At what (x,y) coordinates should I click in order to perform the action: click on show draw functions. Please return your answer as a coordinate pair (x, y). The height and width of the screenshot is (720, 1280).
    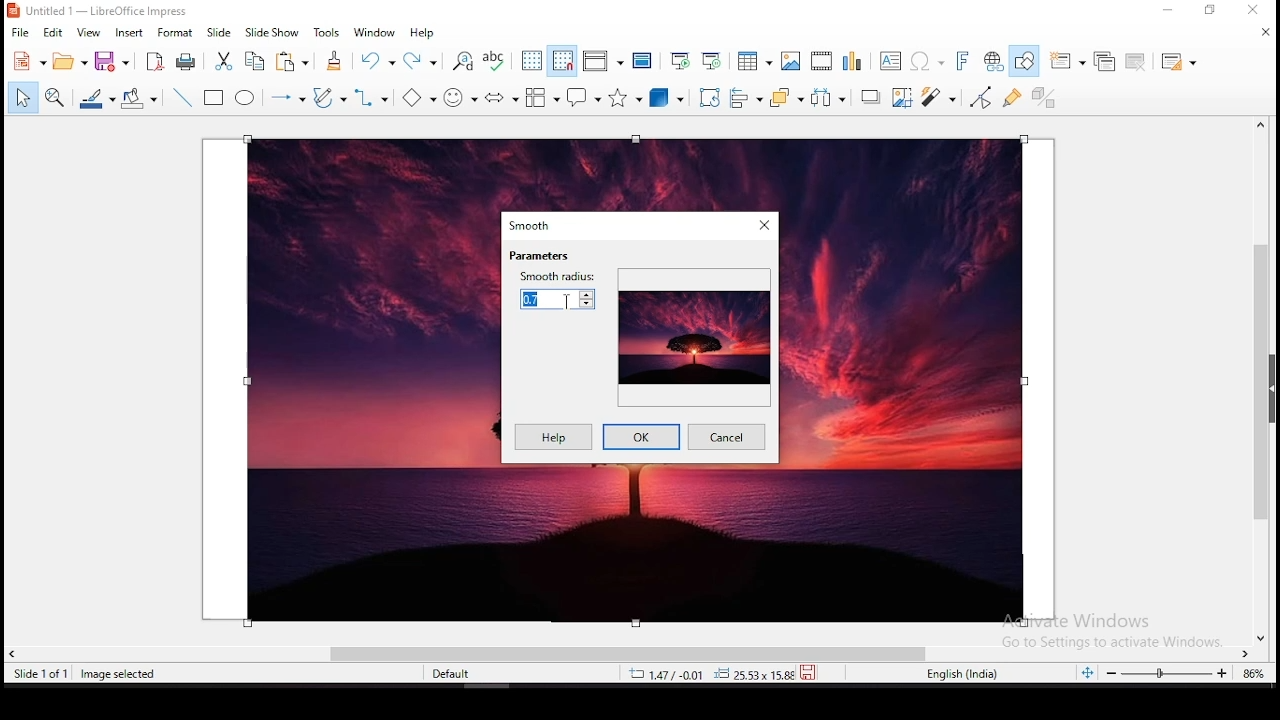
    Looking at the image, I should click on (1028, 60).